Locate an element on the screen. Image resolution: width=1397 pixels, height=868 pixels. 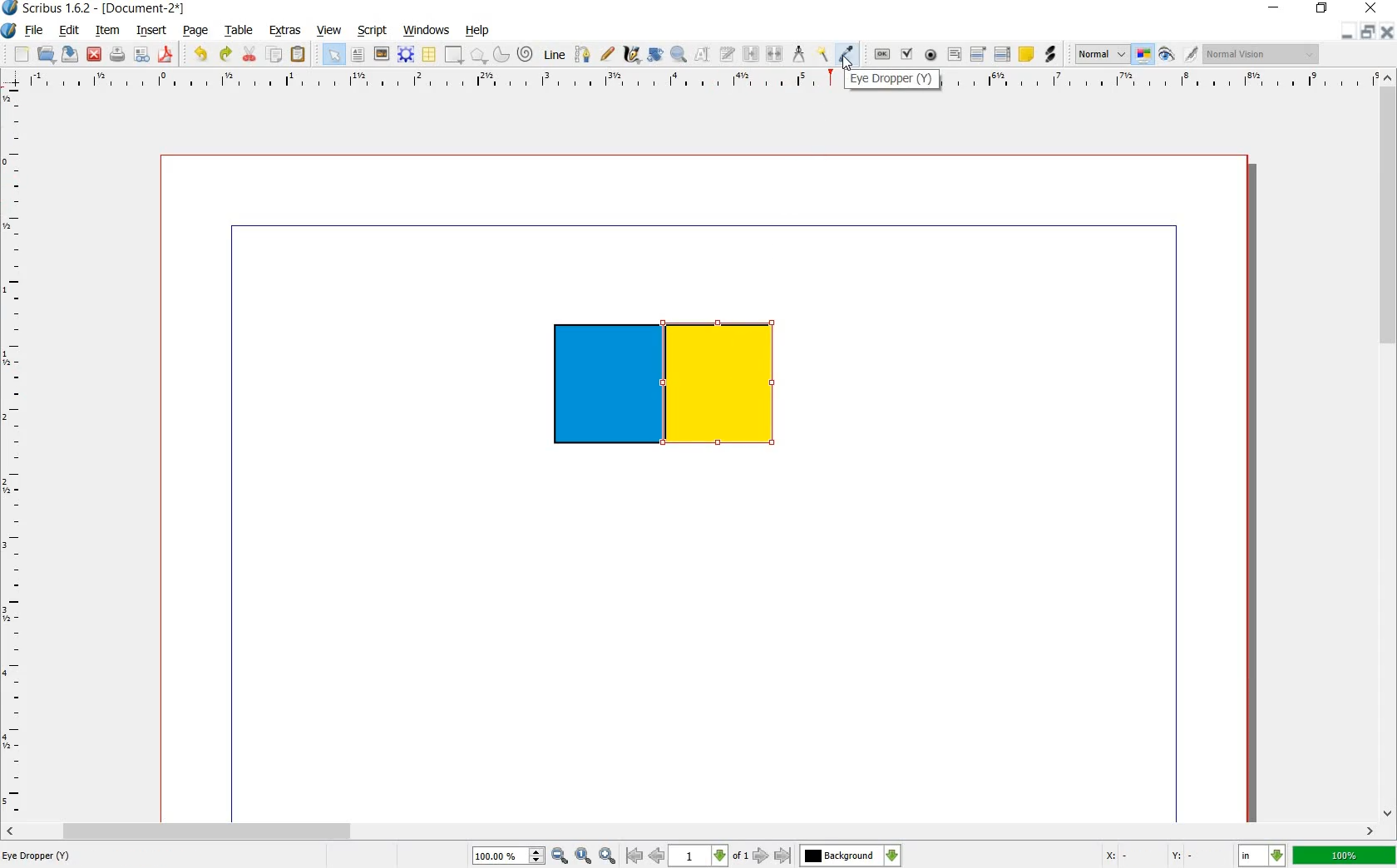
ruler is located at coordinates (14, 452).